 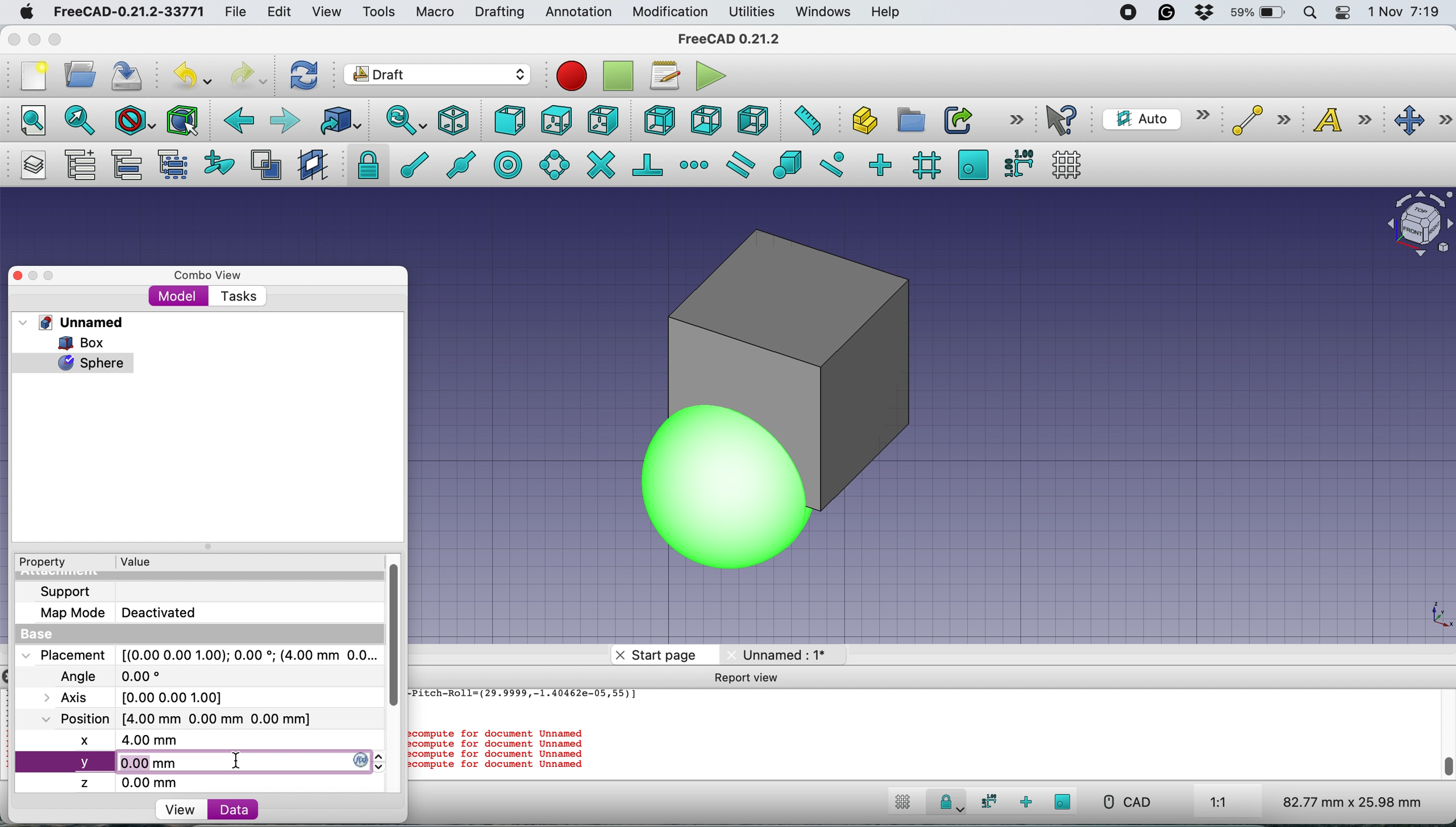 I want to click on snap center, so click(x=506, y=165).